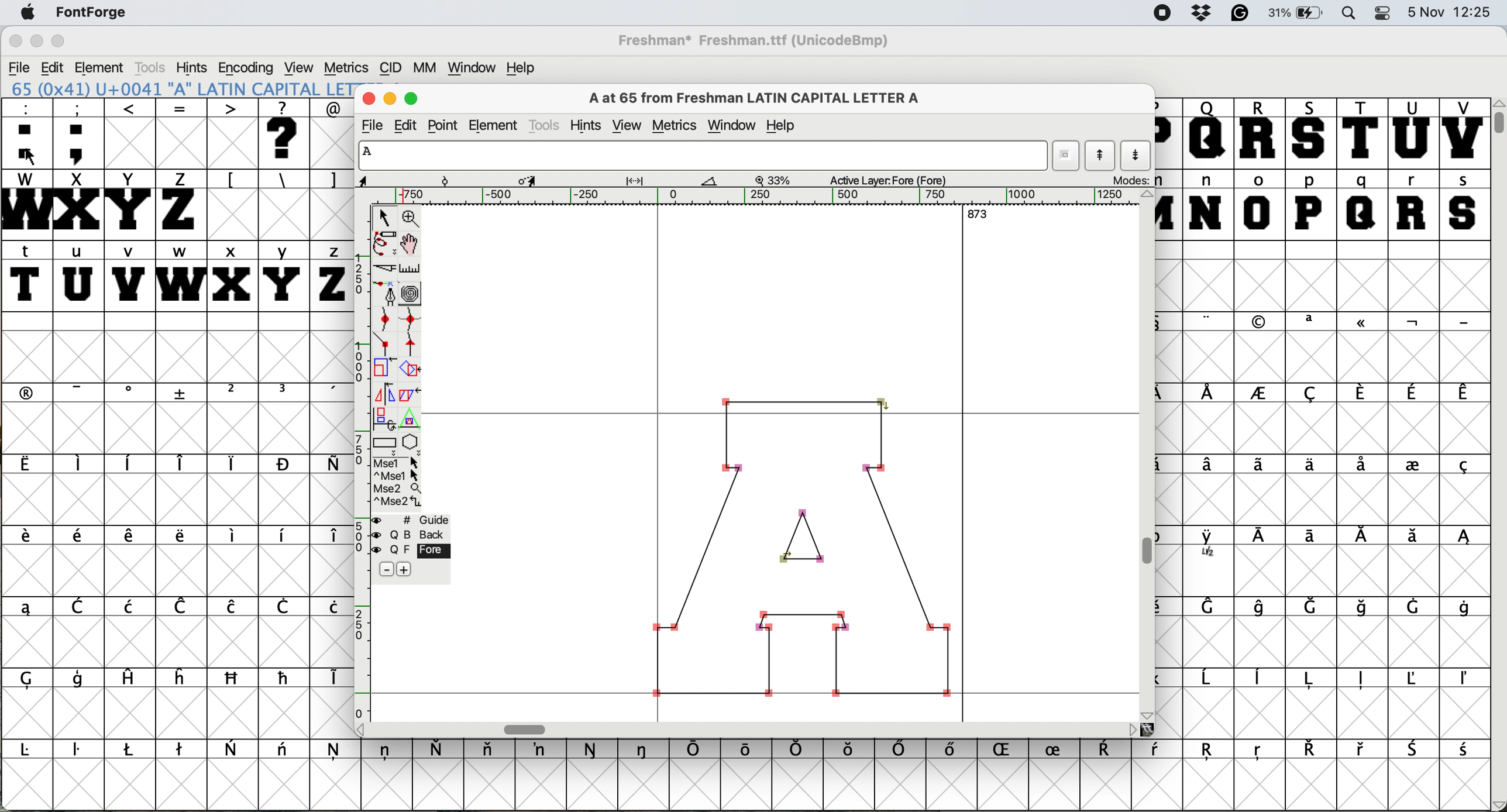 This screenshot has height=812, width=1507. What do you see at coordinates (409, 369) in the screenshot?
I see `rotate the selection` at bounding box center [409, 369].